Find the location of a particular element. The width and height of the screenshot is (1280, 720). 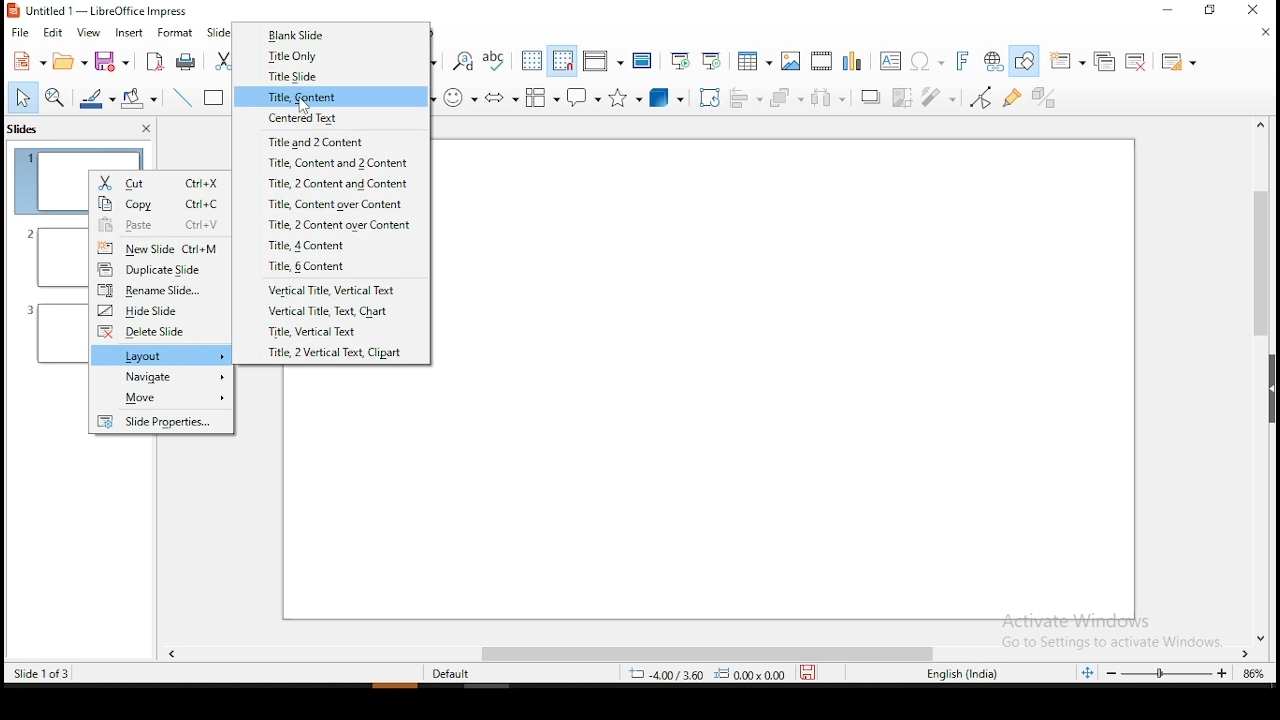

display views is located at coordinates (602, 62).